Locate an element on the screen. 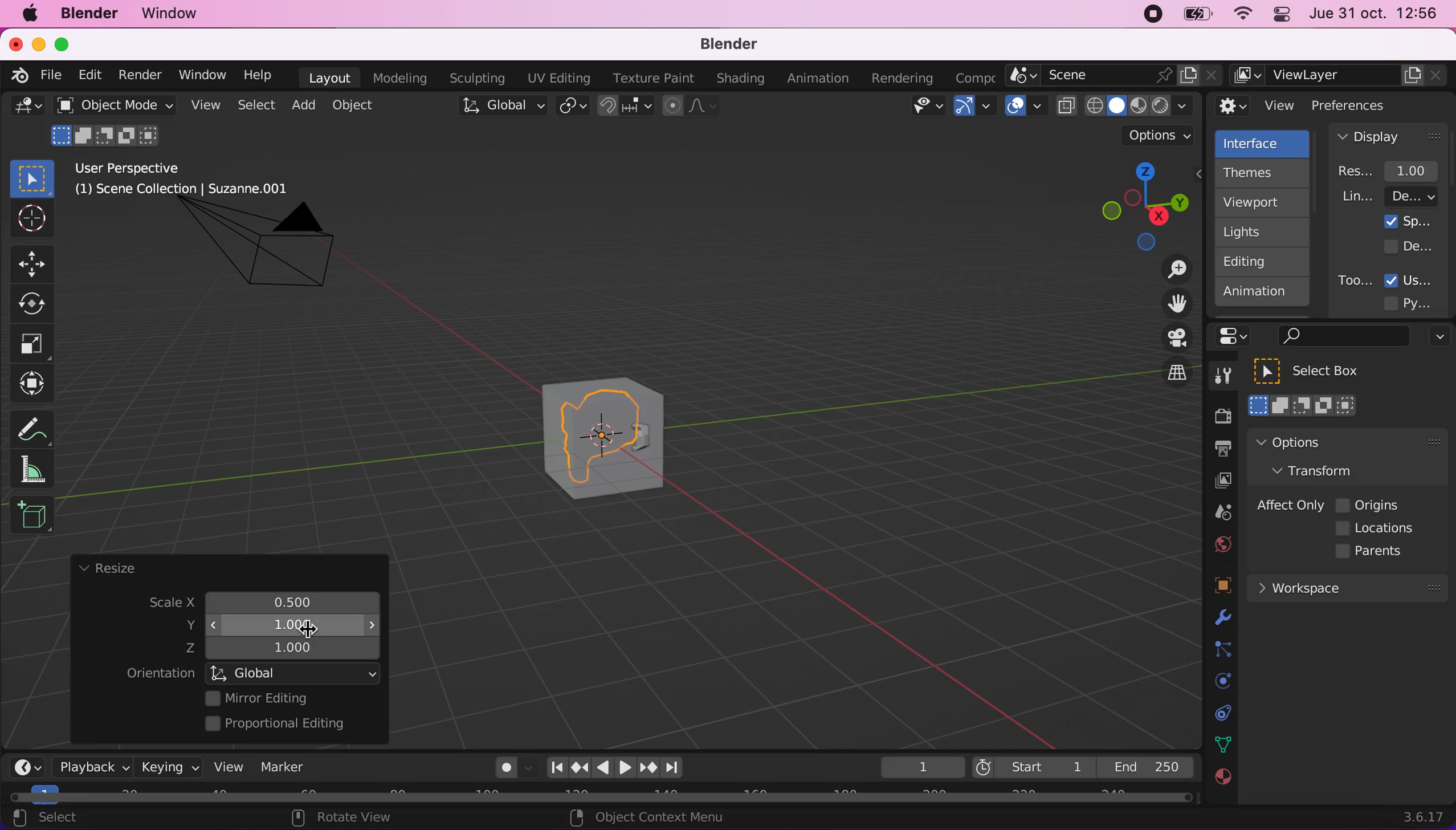  display panel is located at coordinates (1389, 136).